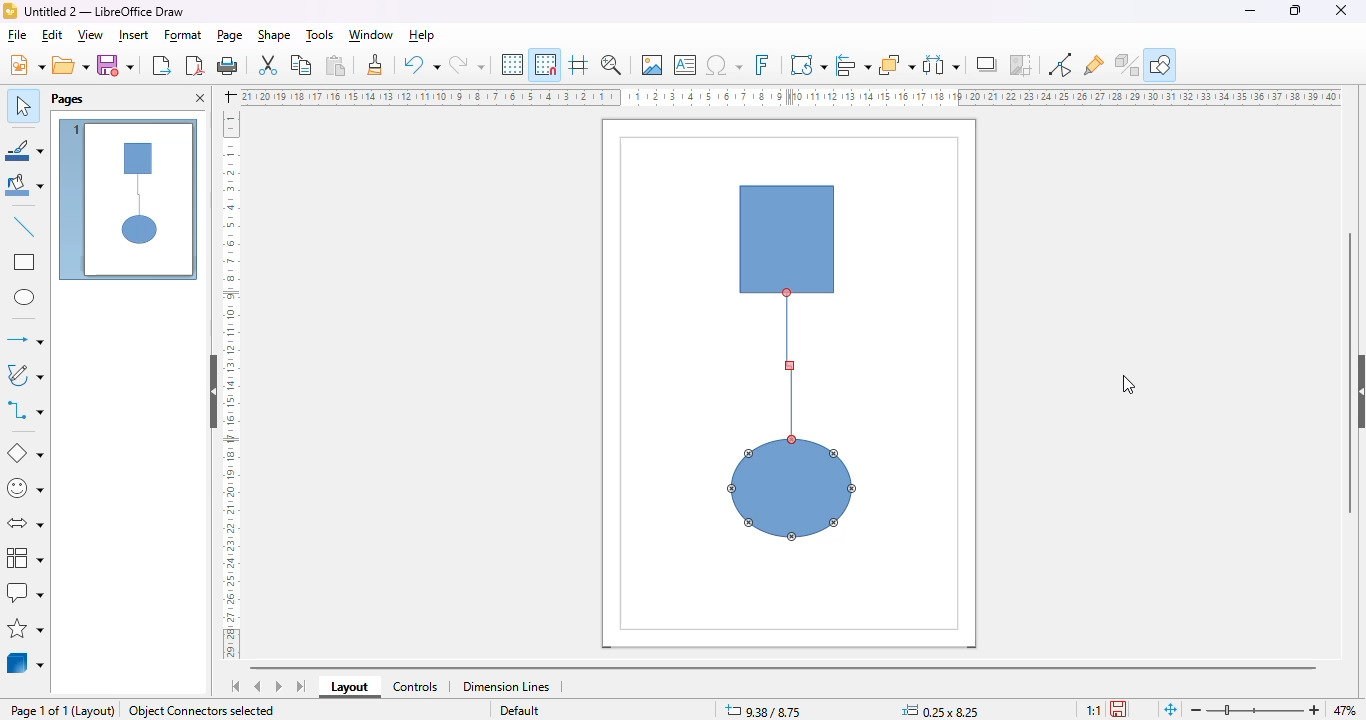  What do you see at coordinates (26, 489) in the screenshot?
I see `symbol shapes` at bounding box center [26, 489].